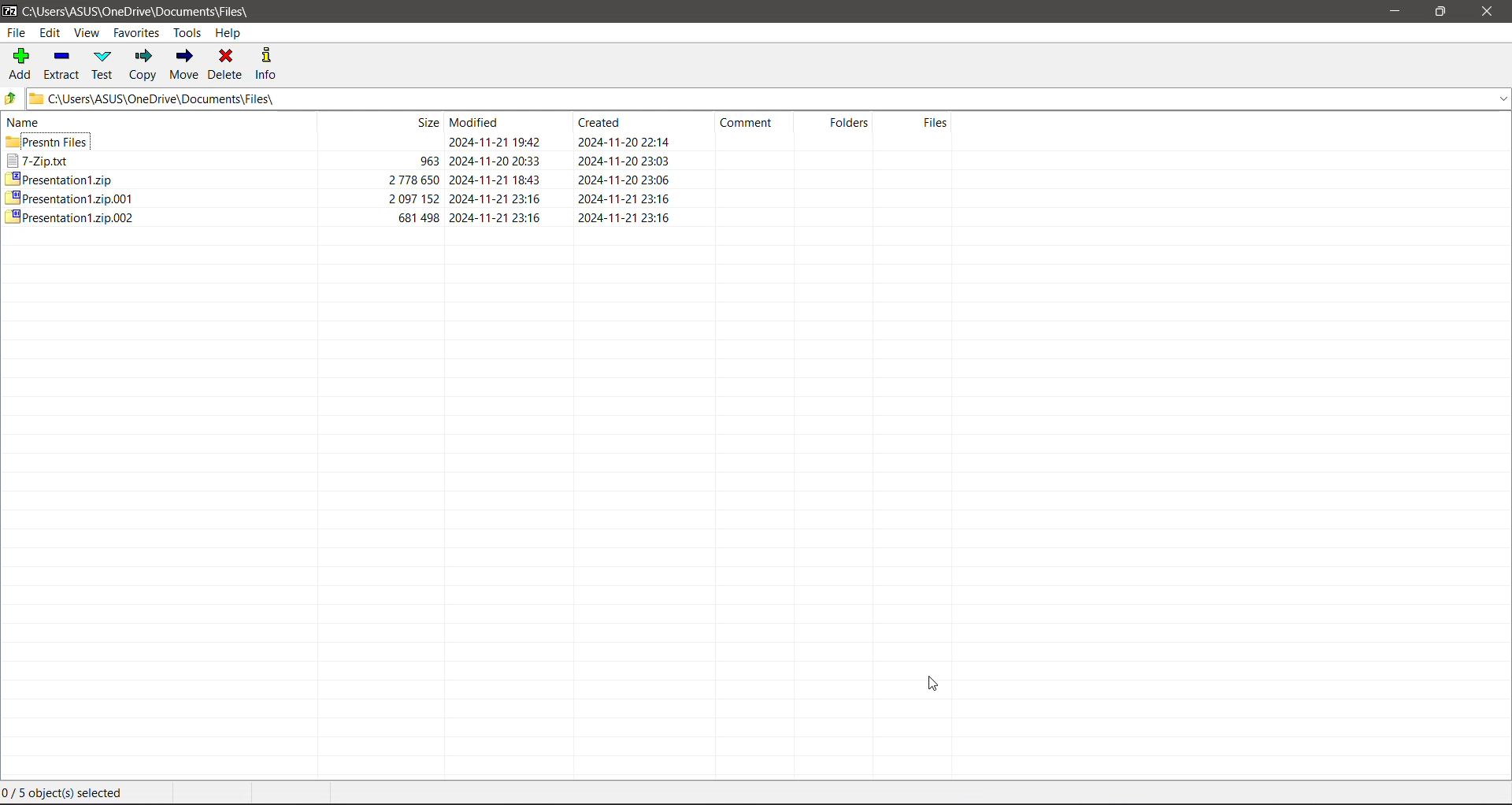  What do you see at coordinates (602, 124) in the screenshot?
I see `Created` at bounding box center [602, 124].